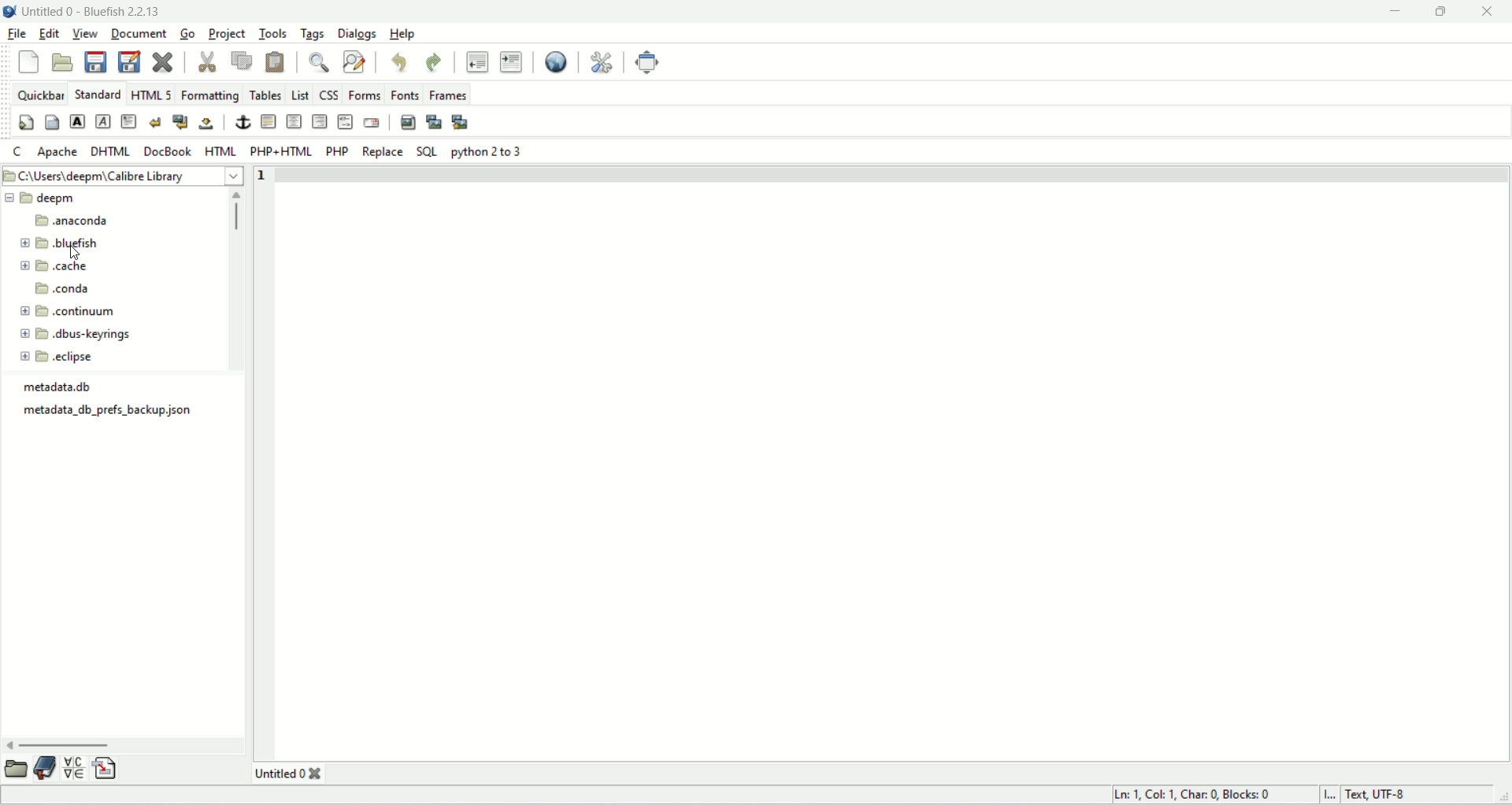  What do you see at coordinates (269, 124) in the screenshot?
I see `horizontal rule` at bounding box center [269, 124].